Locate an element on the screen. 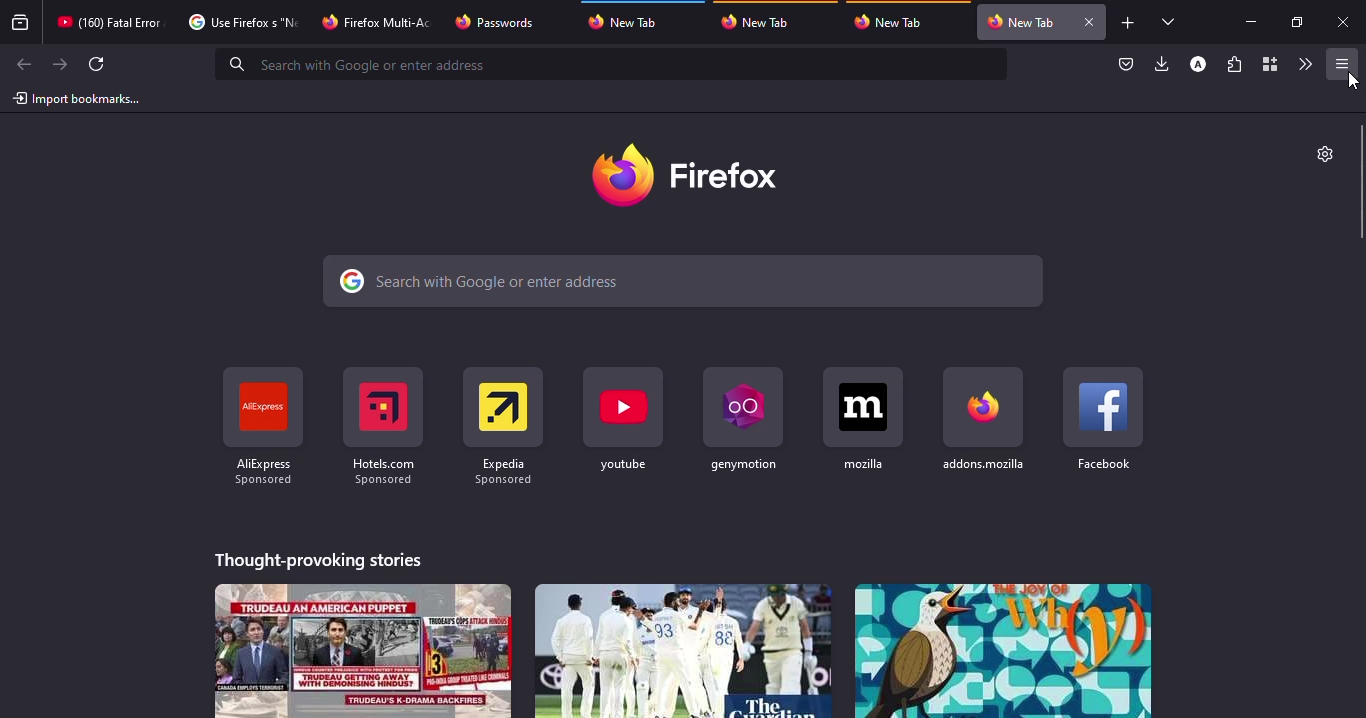 The image size is (1366, 718). close is located at coordinates (1088, 22).